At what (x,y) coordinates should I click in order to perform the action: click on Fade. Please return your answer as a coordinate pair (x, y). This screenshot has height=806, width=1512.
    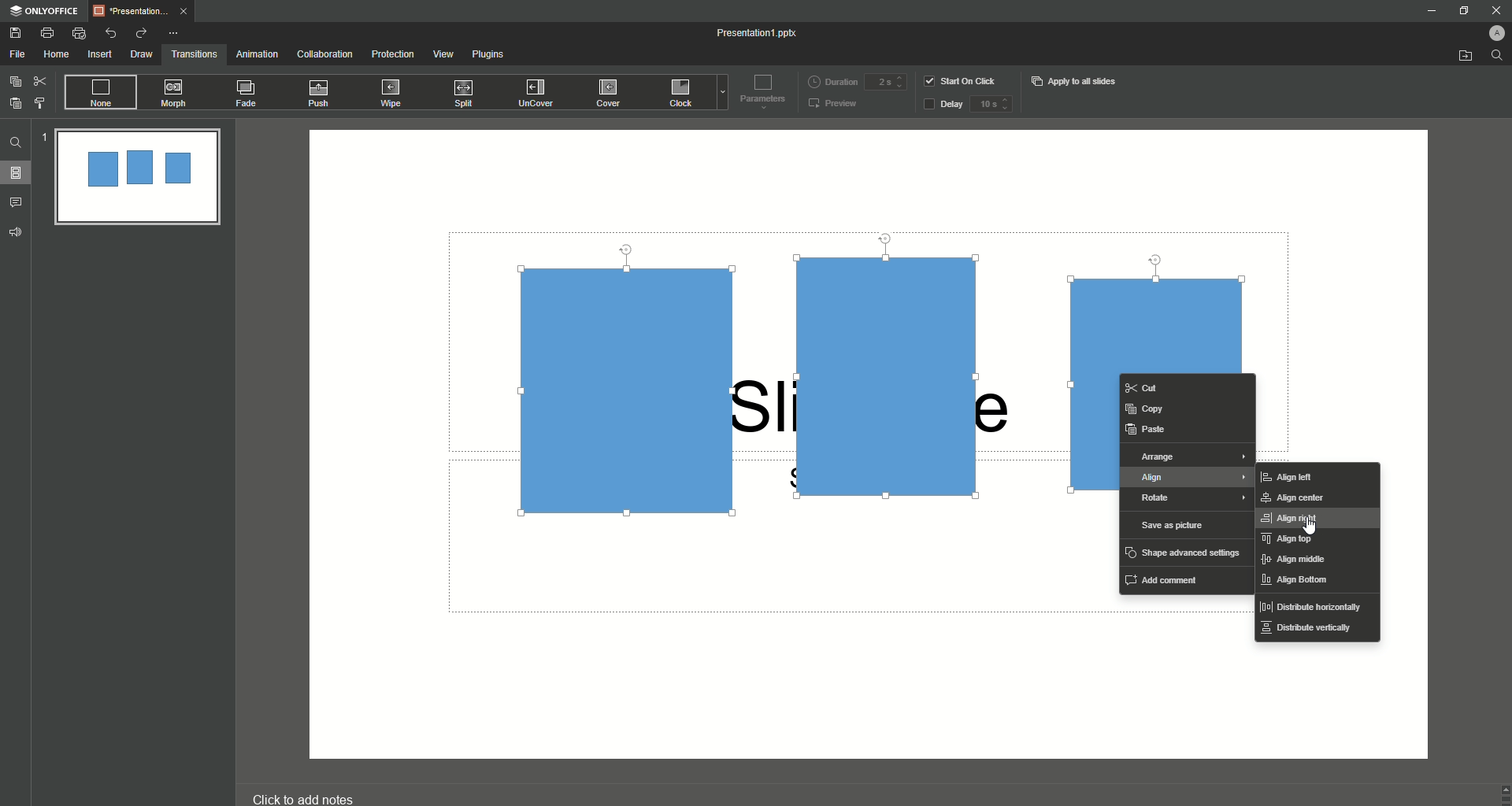
    Looking at the image, I should click on (247, 96).